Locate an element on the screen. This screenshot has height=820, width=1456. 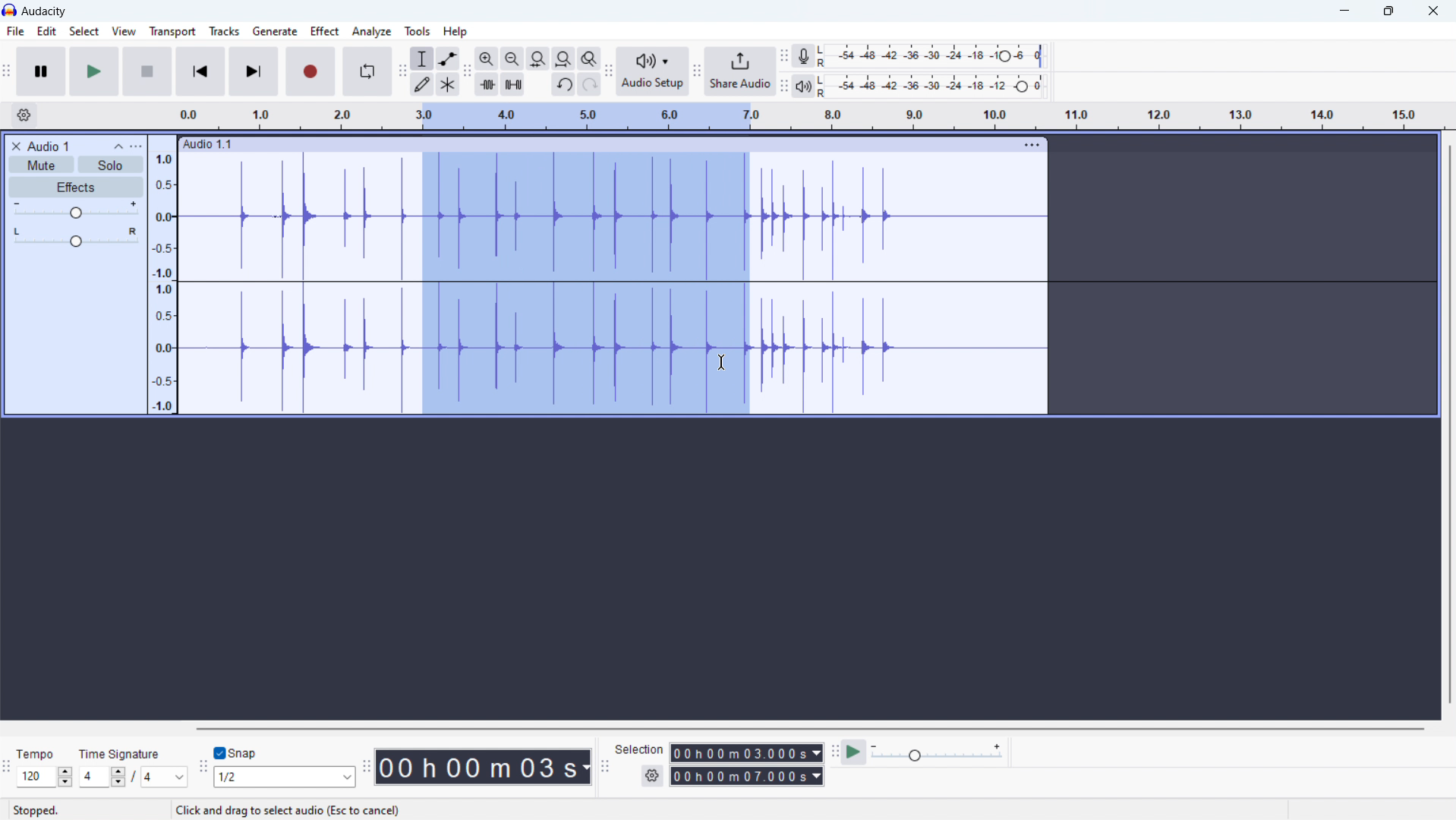
close is located at coordinates (1431, 11).